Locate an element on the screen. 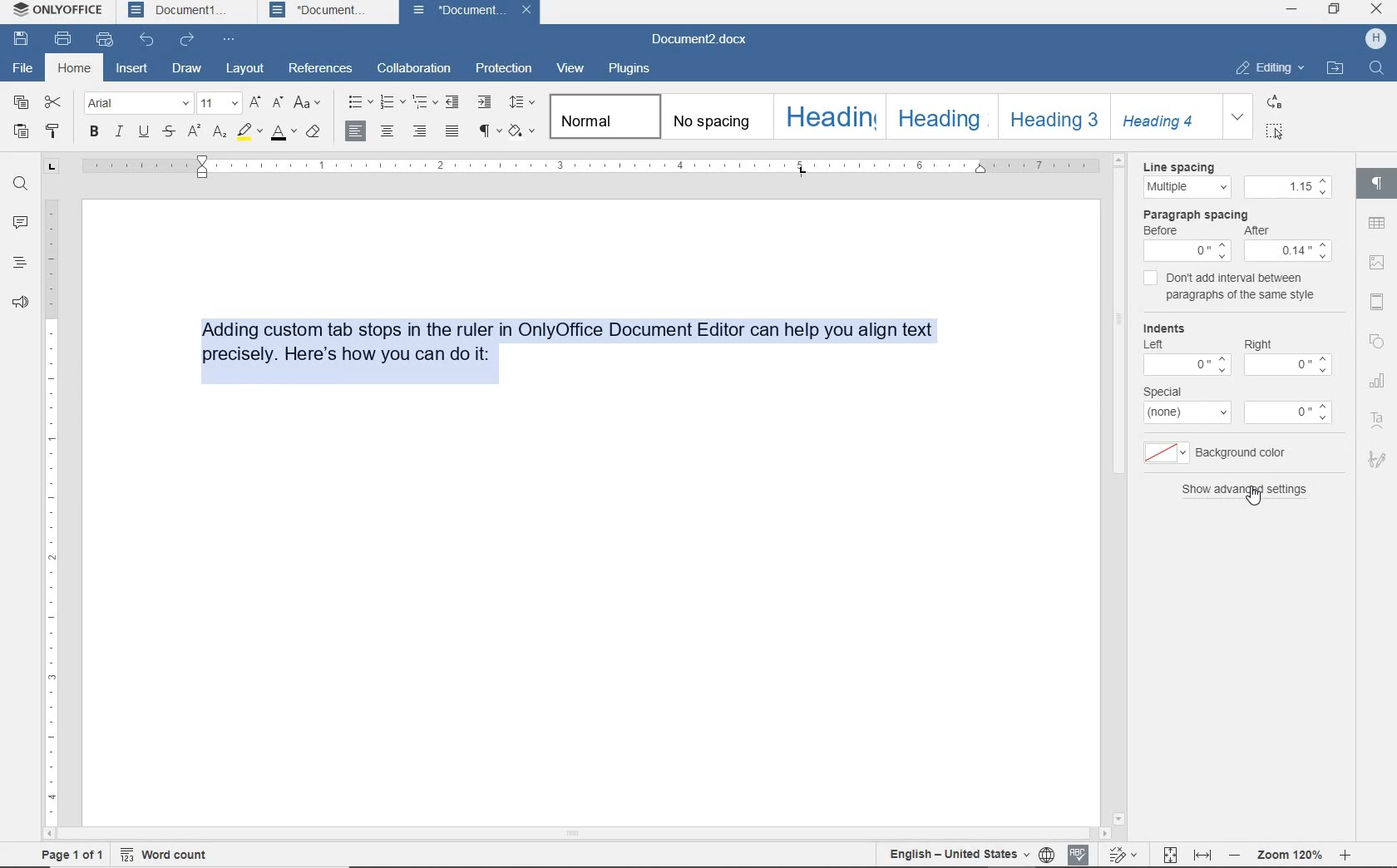 The width and height of the screenshot is (1397, 868). file is located at coordinates (24, 68).